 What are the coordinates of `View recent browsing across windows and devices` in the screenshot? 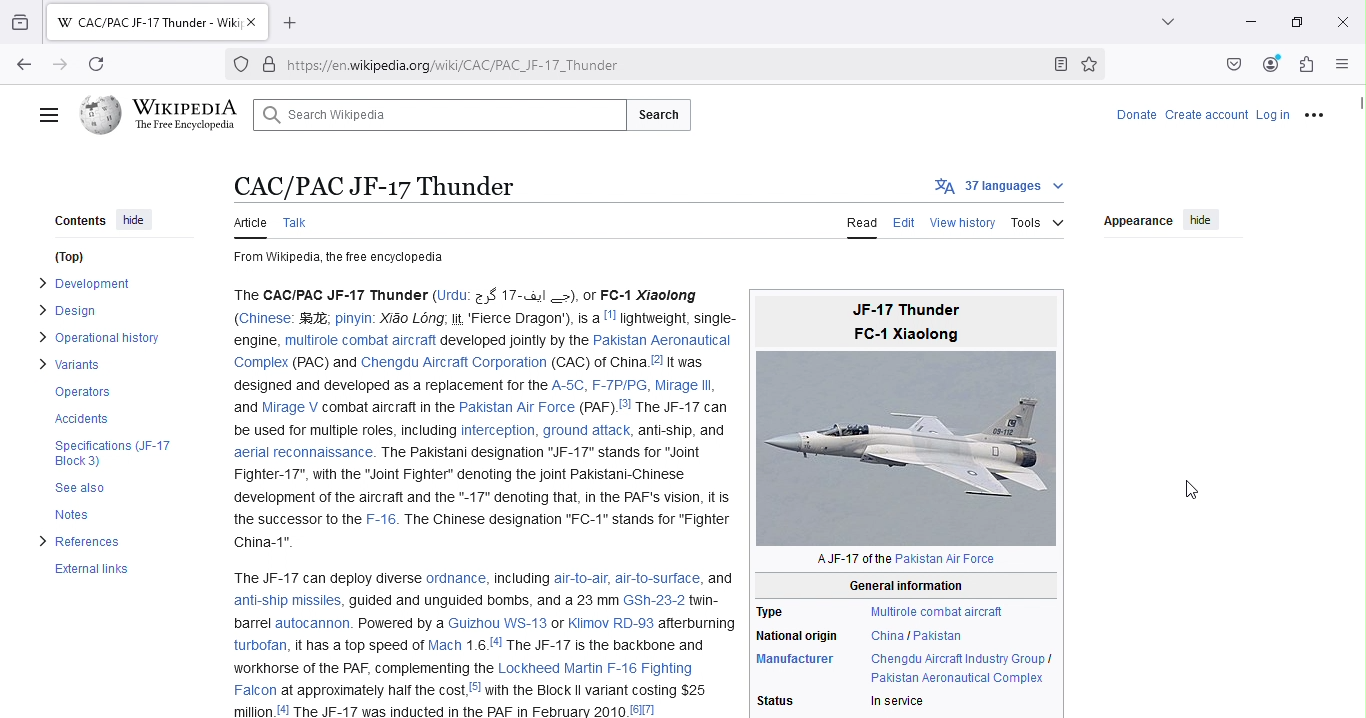 It's located at (23, 22).